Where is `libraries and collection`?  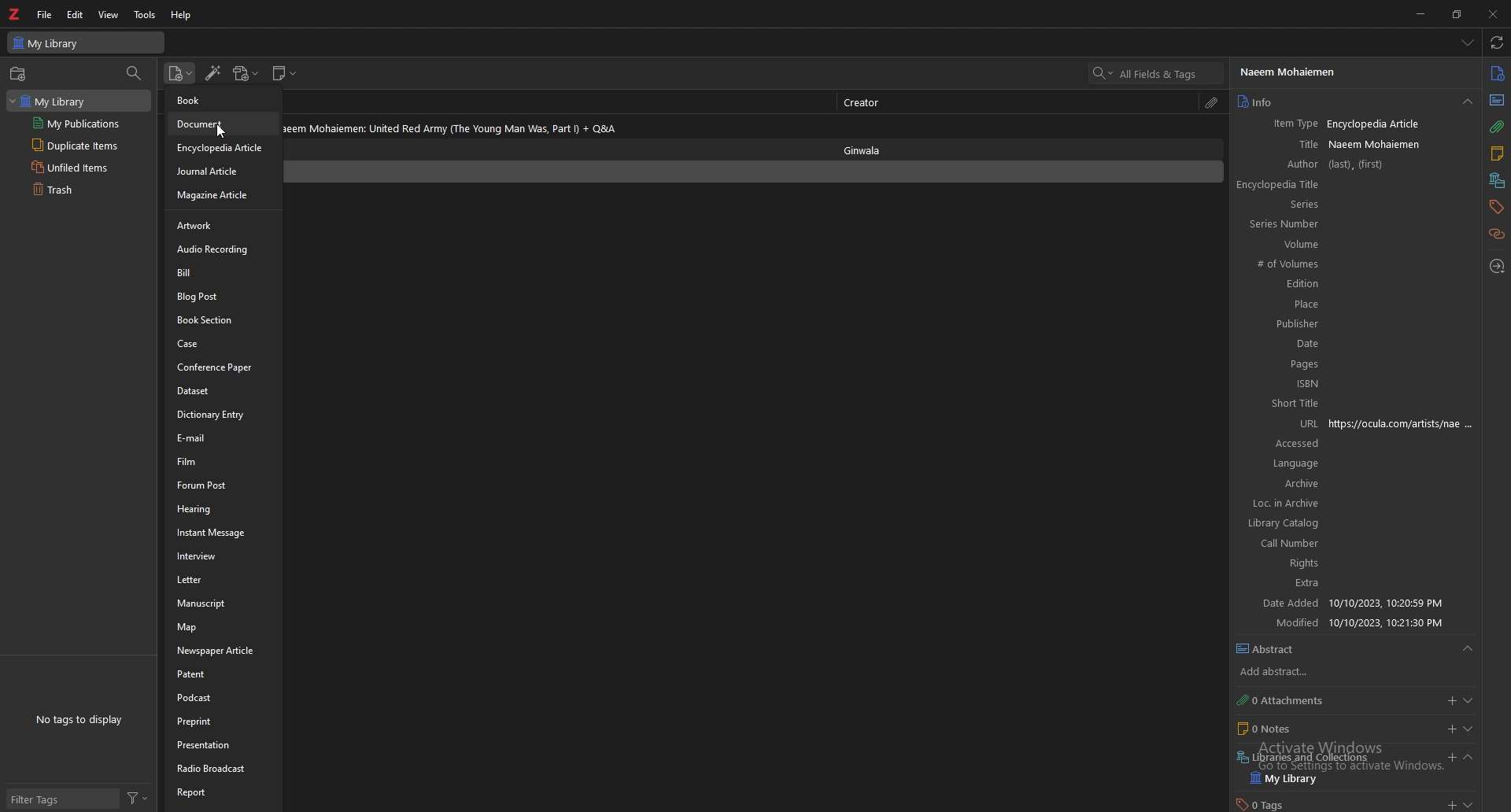
libraries and collection is located at coordinates (1336, 753).